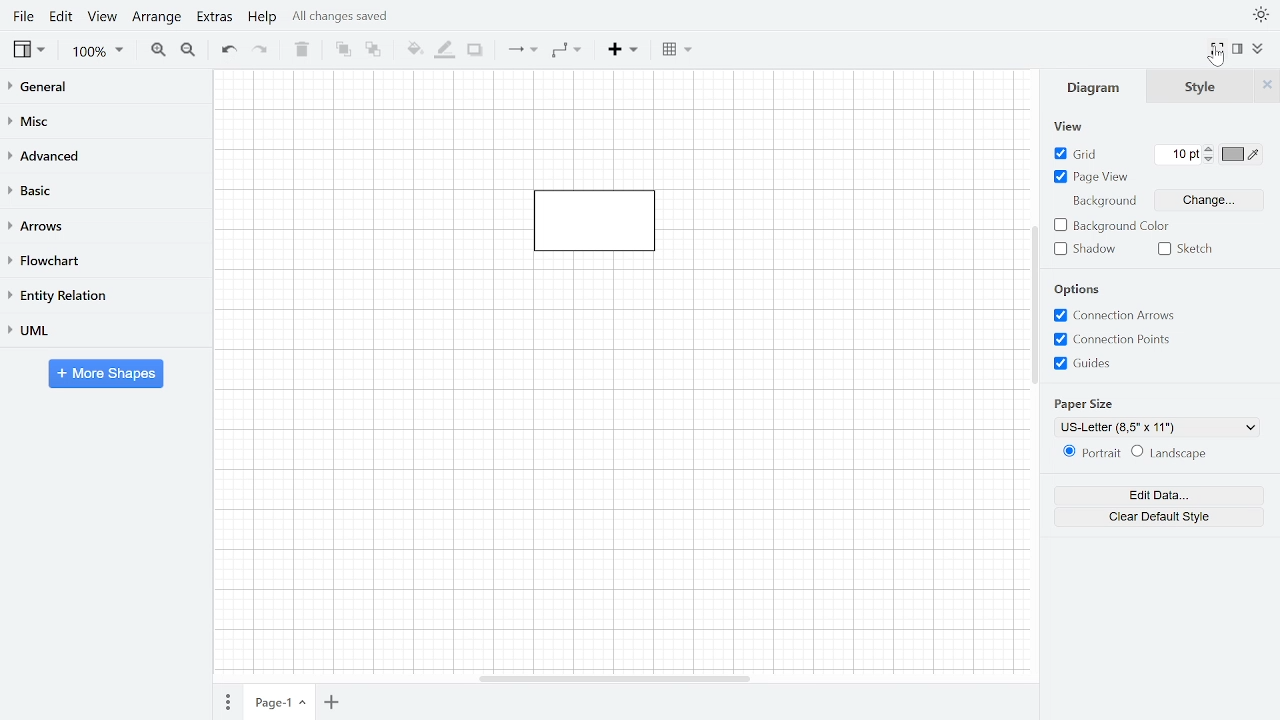  I want to click on Zoom out, so click(189, 50).